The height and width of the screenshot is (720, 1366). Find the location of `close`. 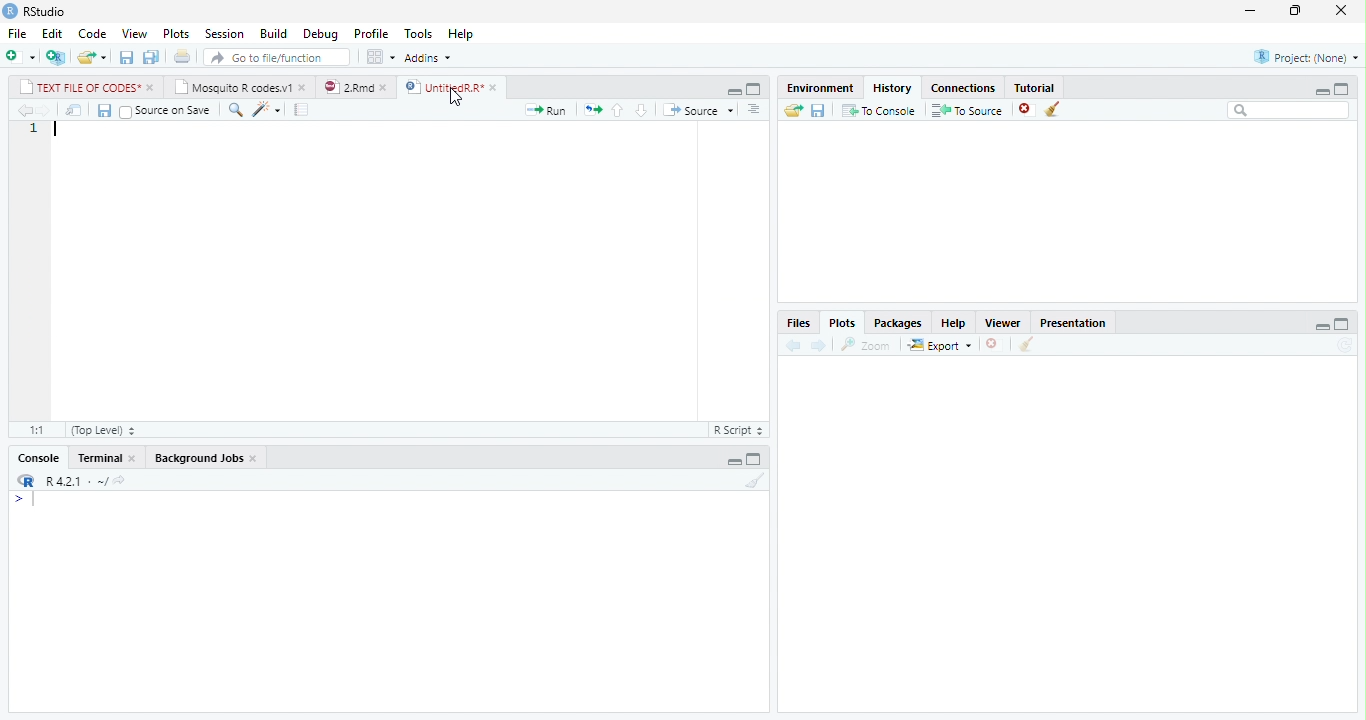

close is located at coordinates (496, 87).